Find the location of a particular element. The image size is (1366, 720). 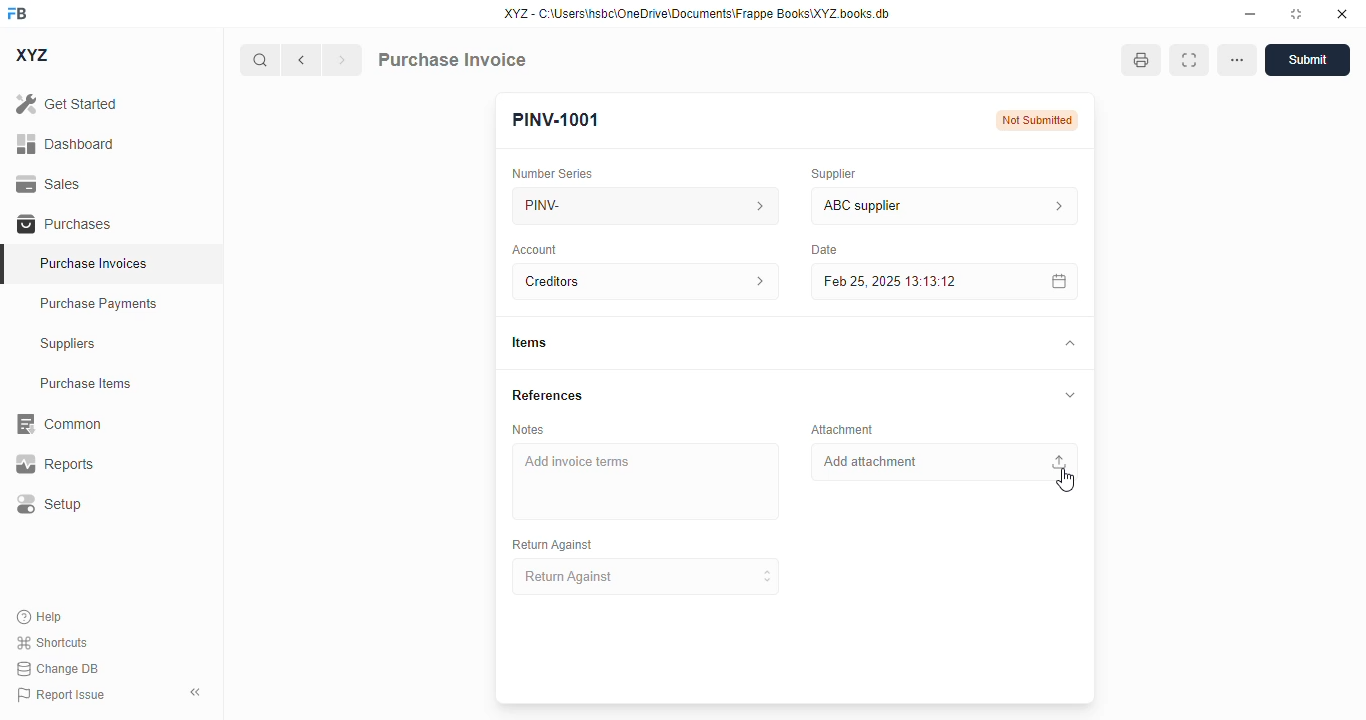

toggle expand/contract is located at coordinates (1068, 344).